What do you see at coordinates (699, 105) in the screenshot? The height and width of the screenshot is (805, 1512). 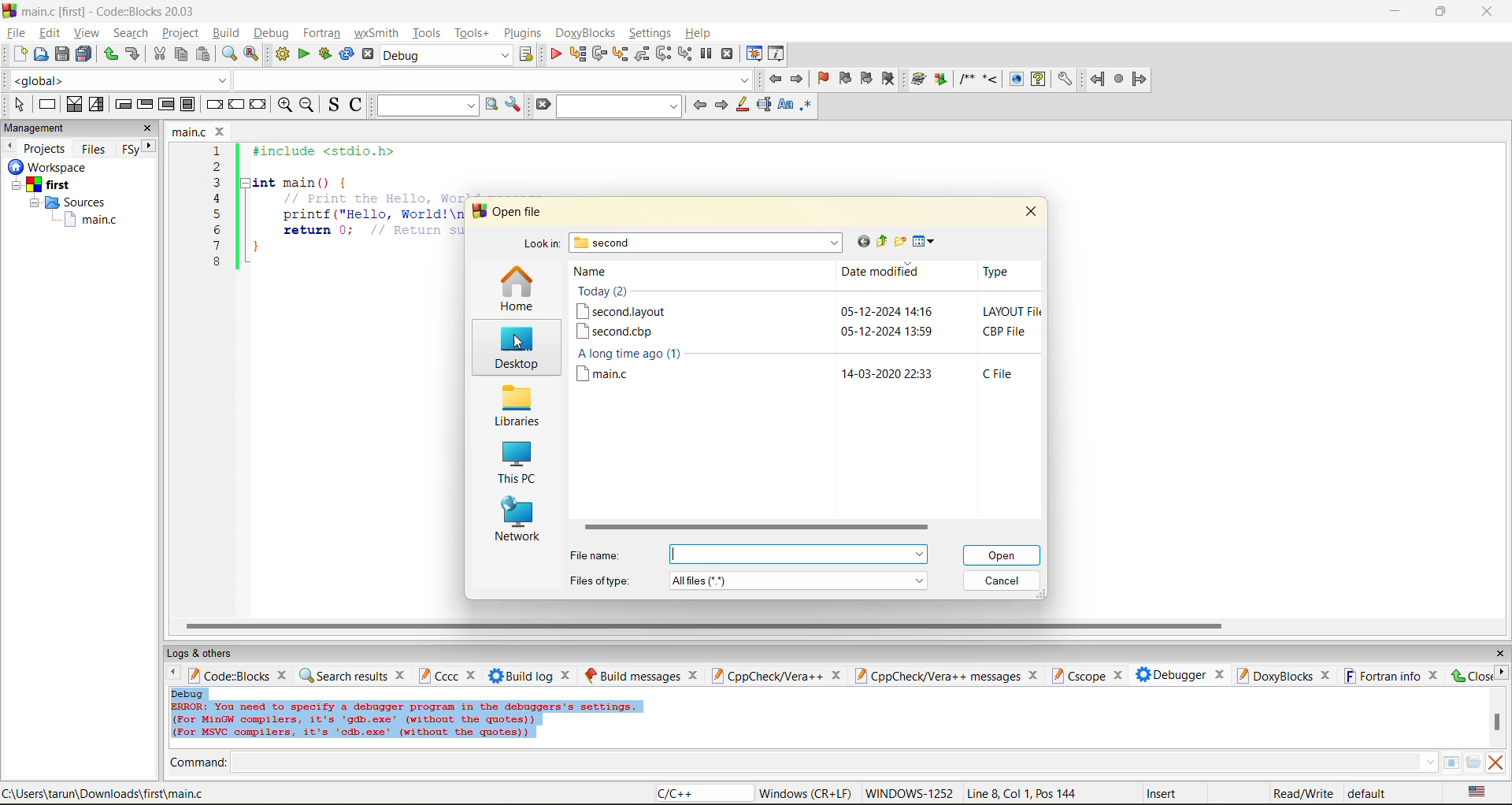 I see `previous` at bounding box center [699, 105].